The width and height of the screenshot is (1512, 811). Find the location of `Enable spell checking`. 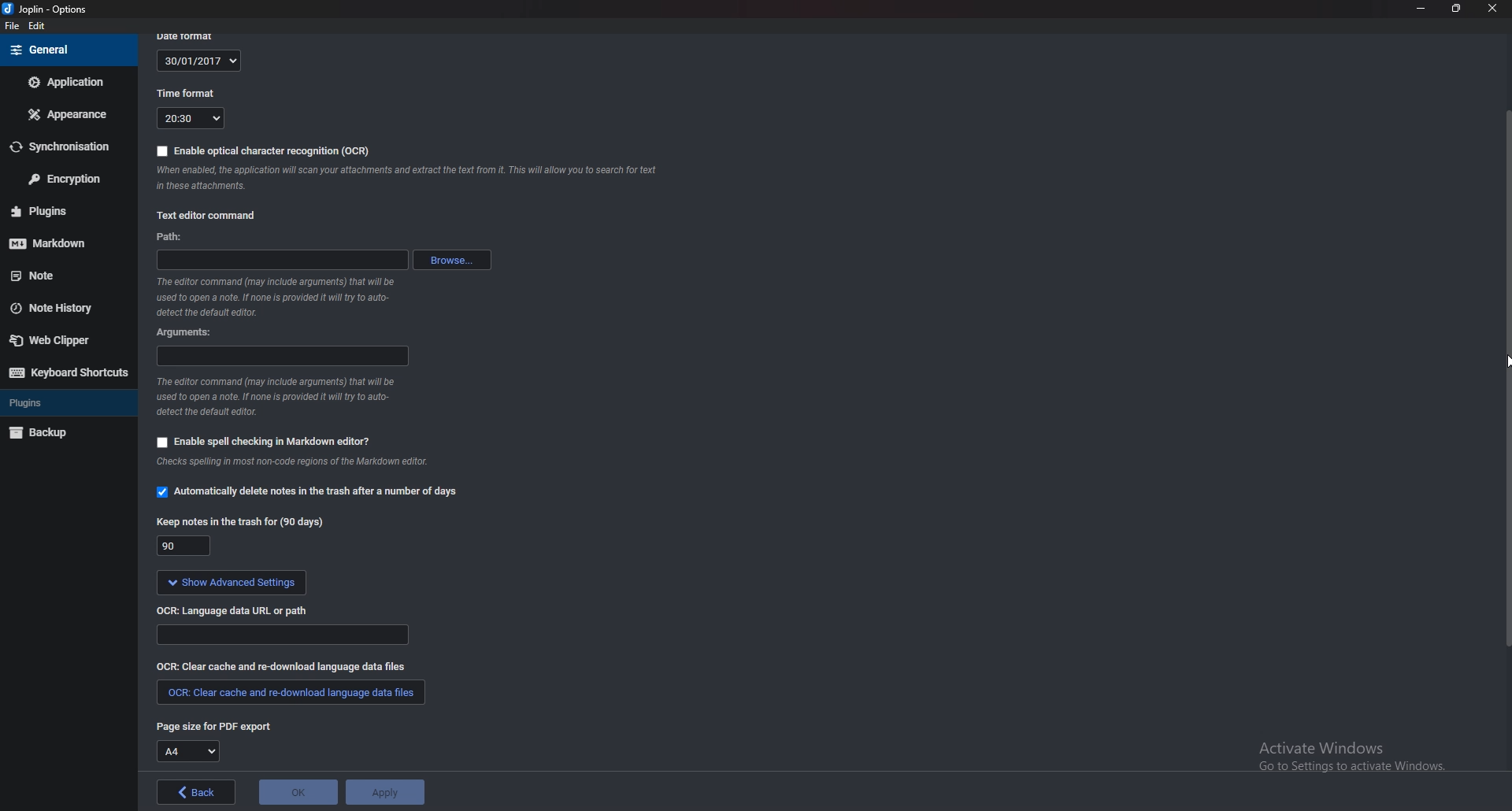

Enable spell checking is located at coordinates (264, 442).